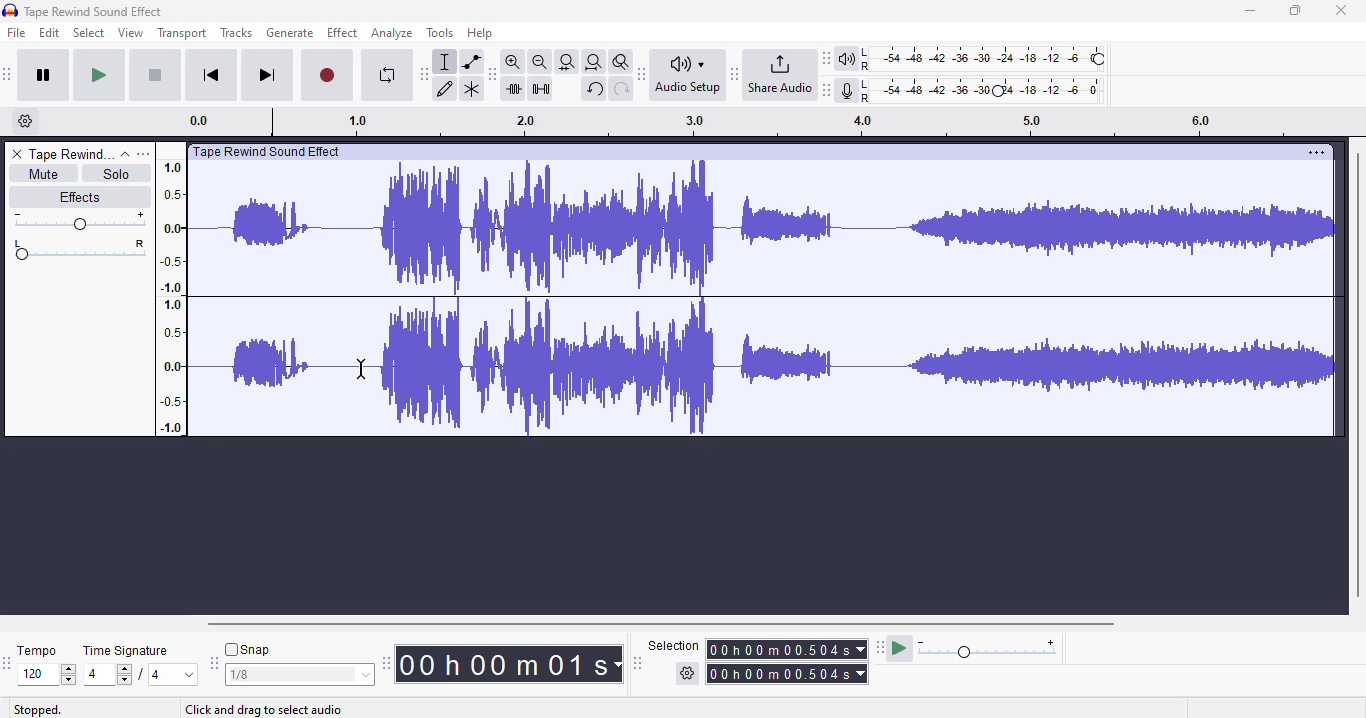 This screenshot has width=1366, height=718. Describe the element at coordinates (99, 76) in the screenshot. I see `play` at that location.